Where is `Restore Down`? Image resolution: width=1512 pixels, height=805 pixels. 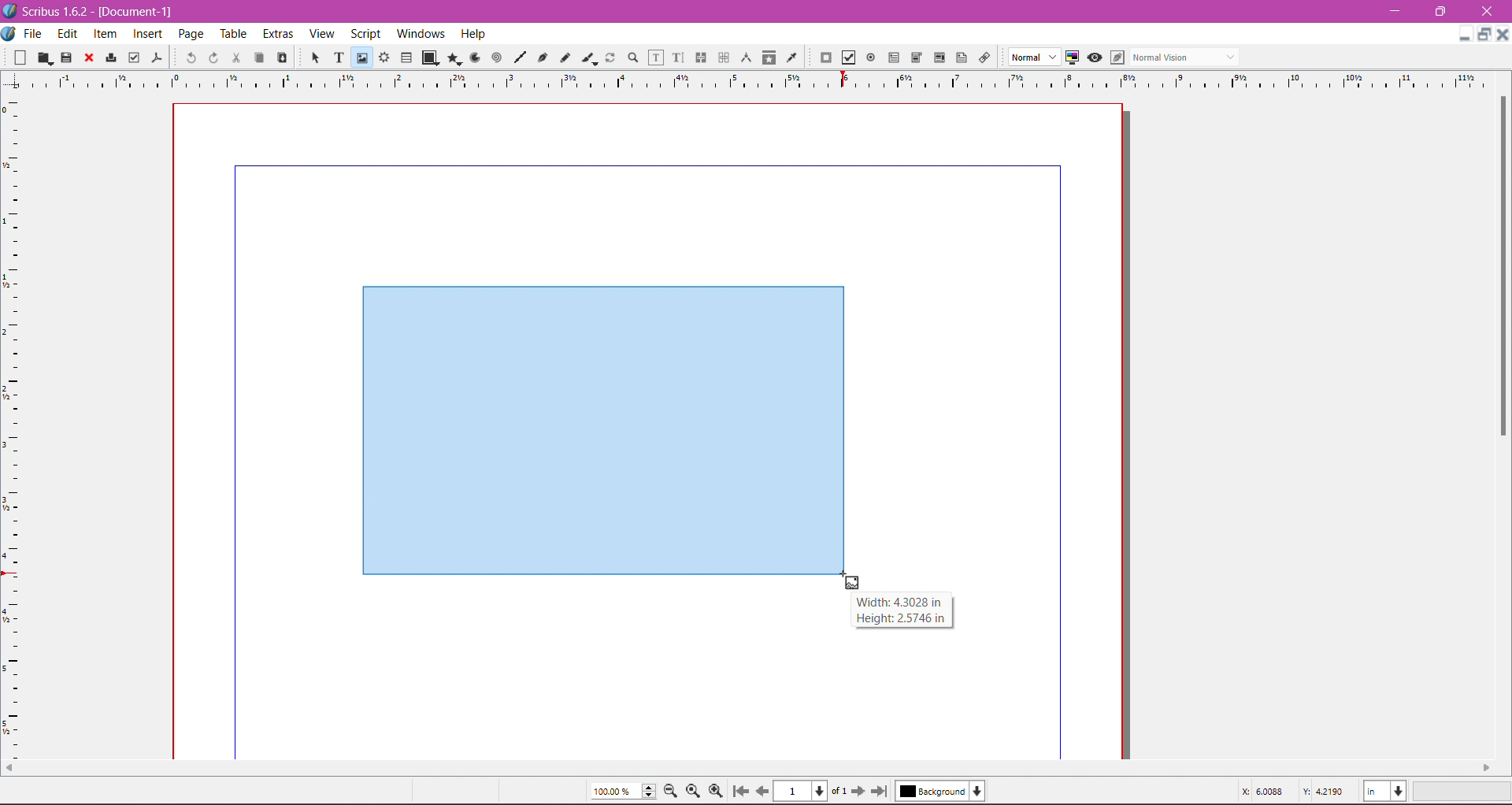
Restore Down is located at coordinates (1439, 11).